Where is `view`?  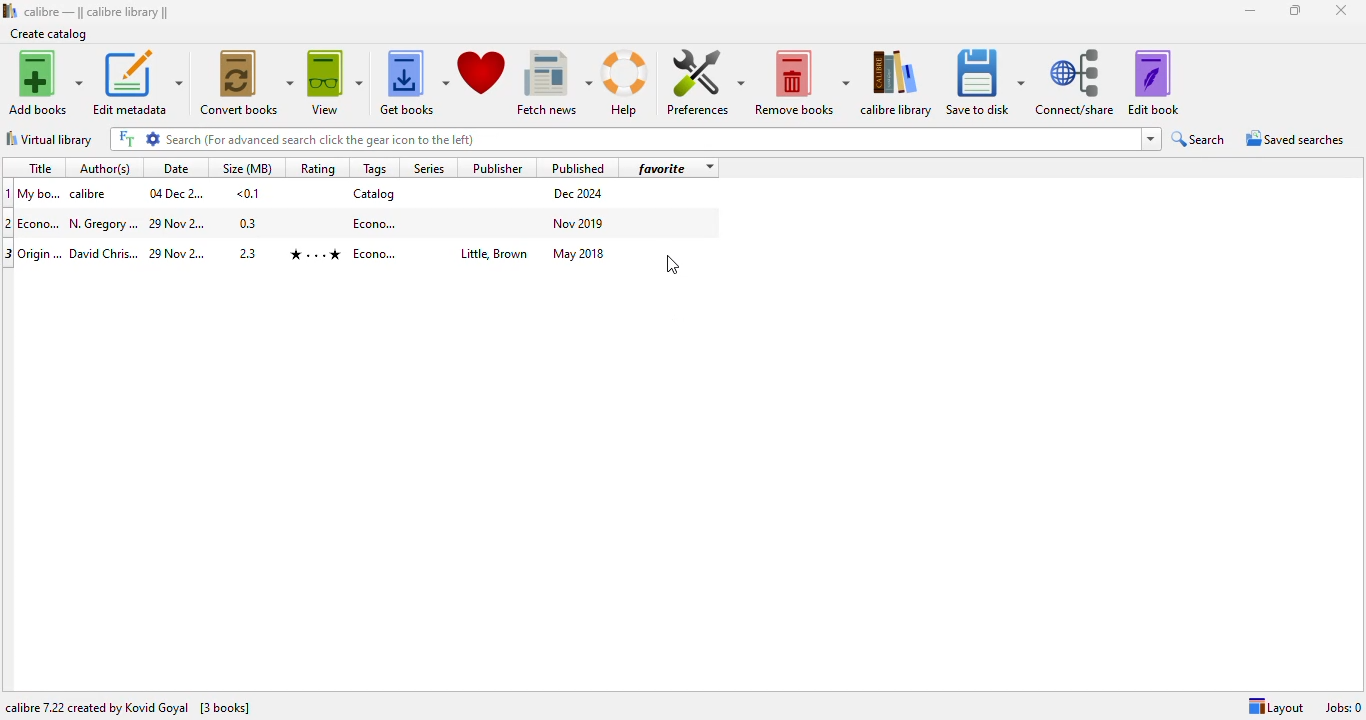
view is located at coordinates (335, 82).